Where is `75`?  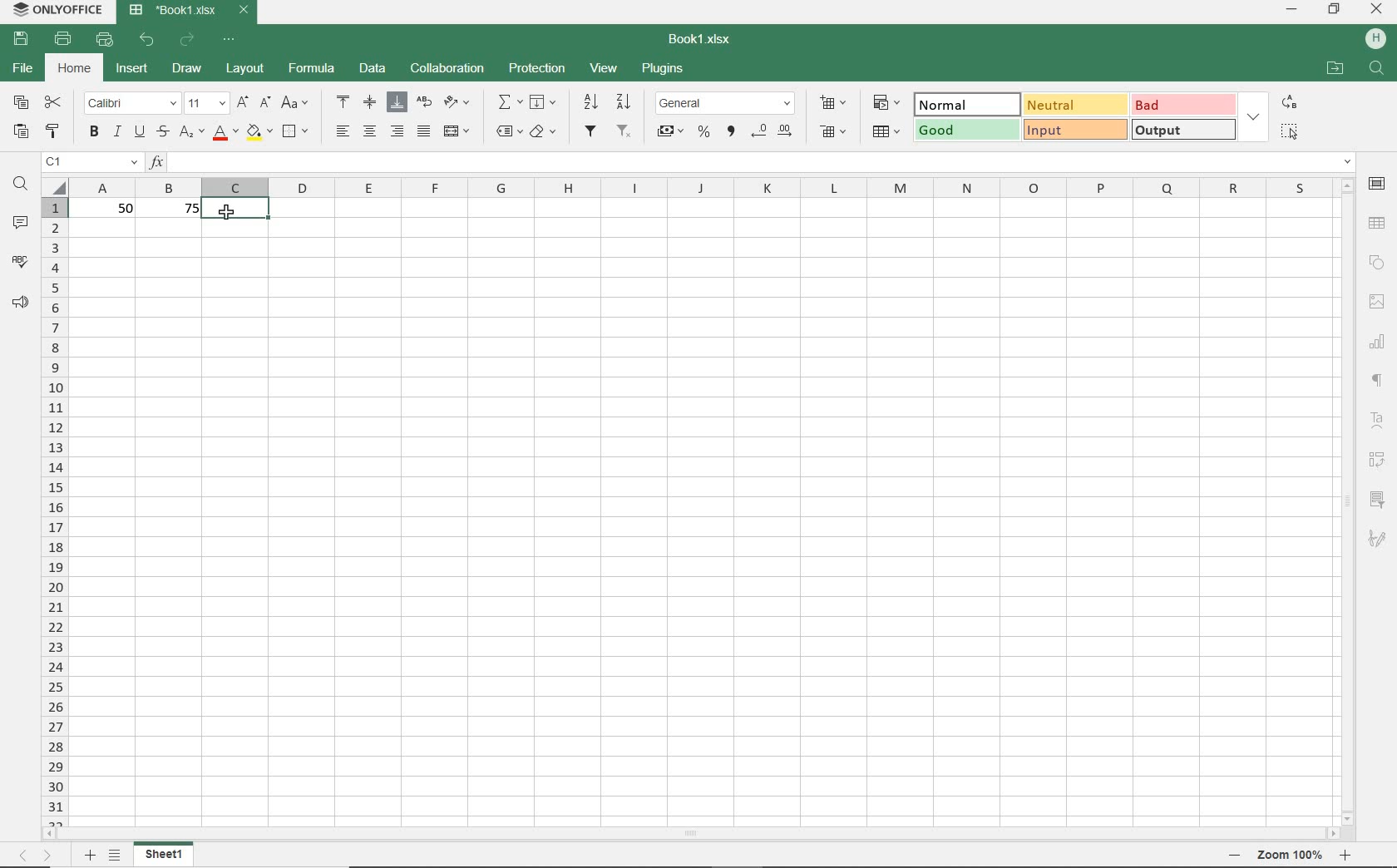
75 is located at coordinates (185, 211).